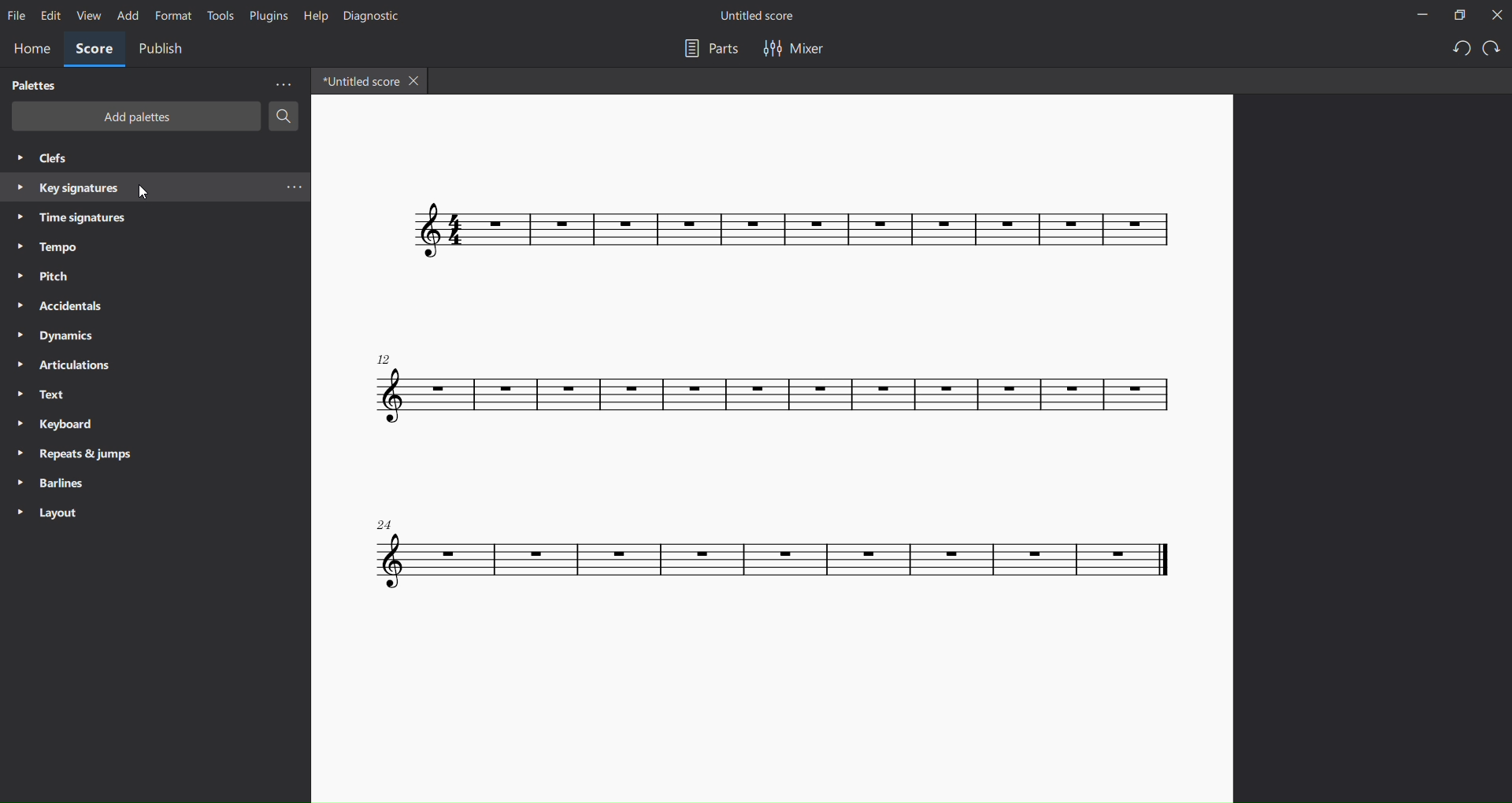 The height and width of the screenshot is (803, 1512). I want to click on key signatures, so click(66, 185).